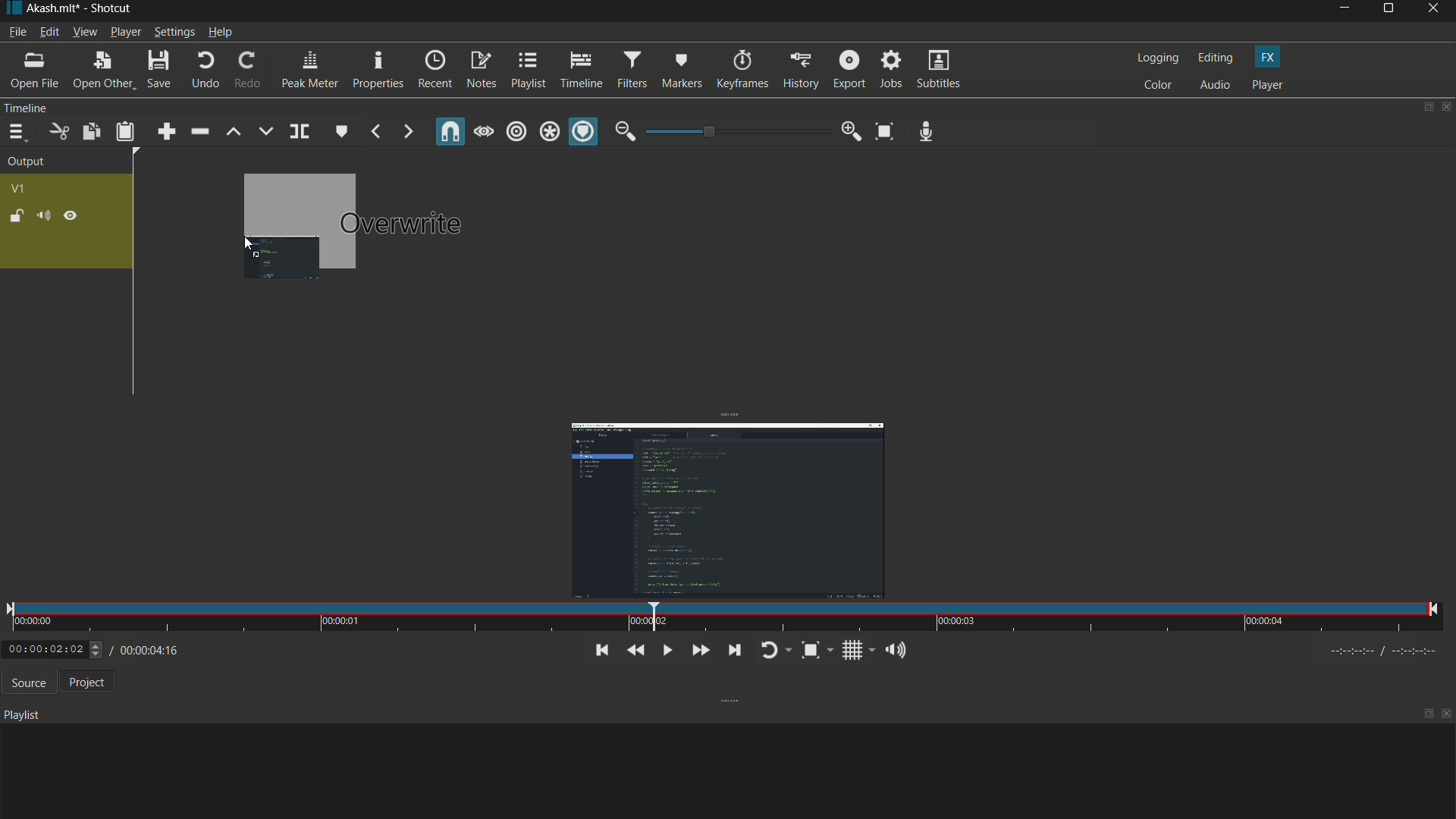 This screenshot has height=819, width=1456. I want to click on v1, so click(17, 190).